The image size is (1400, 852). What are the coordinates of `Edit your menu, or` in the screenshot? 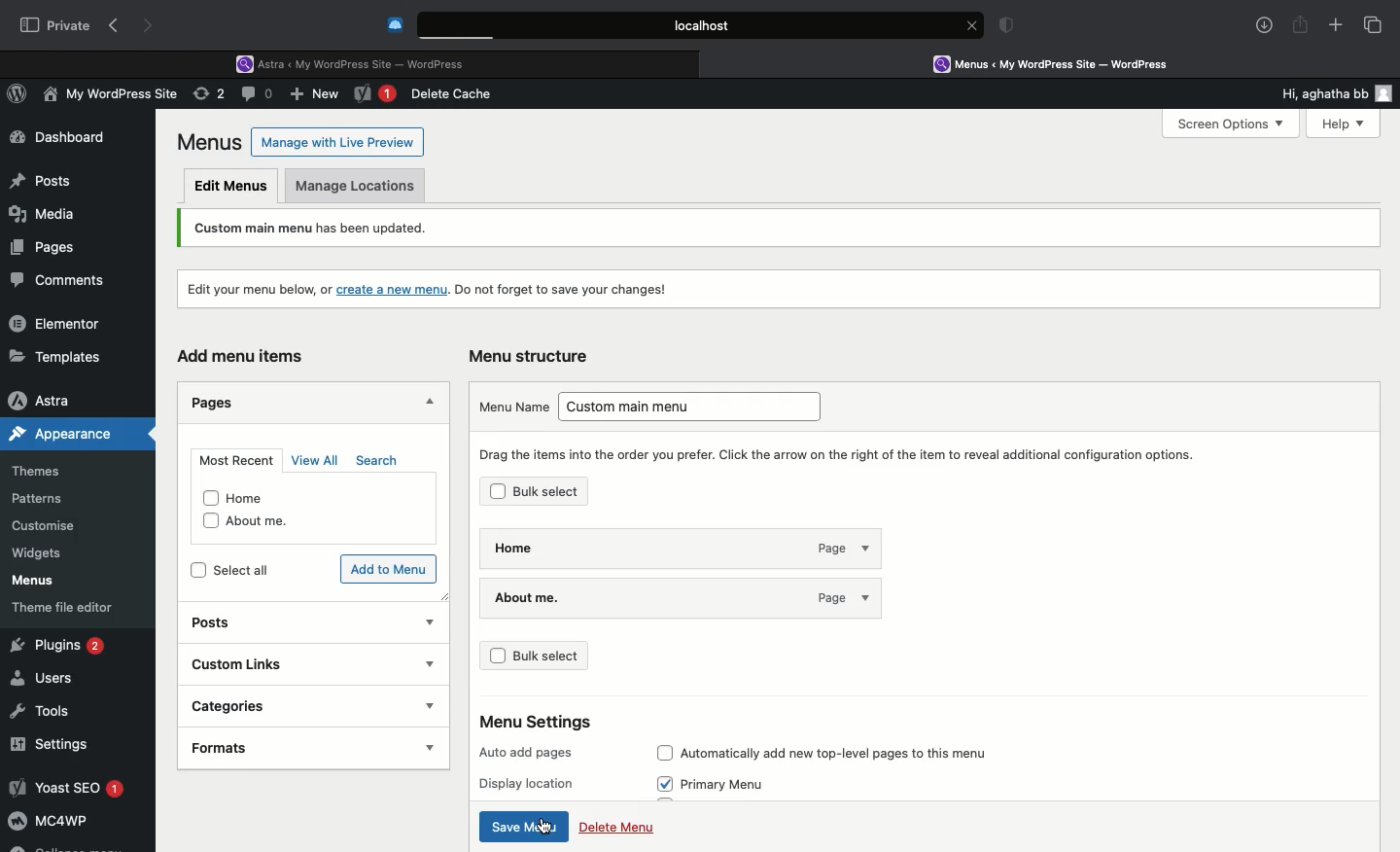 It's located at (255, 286).